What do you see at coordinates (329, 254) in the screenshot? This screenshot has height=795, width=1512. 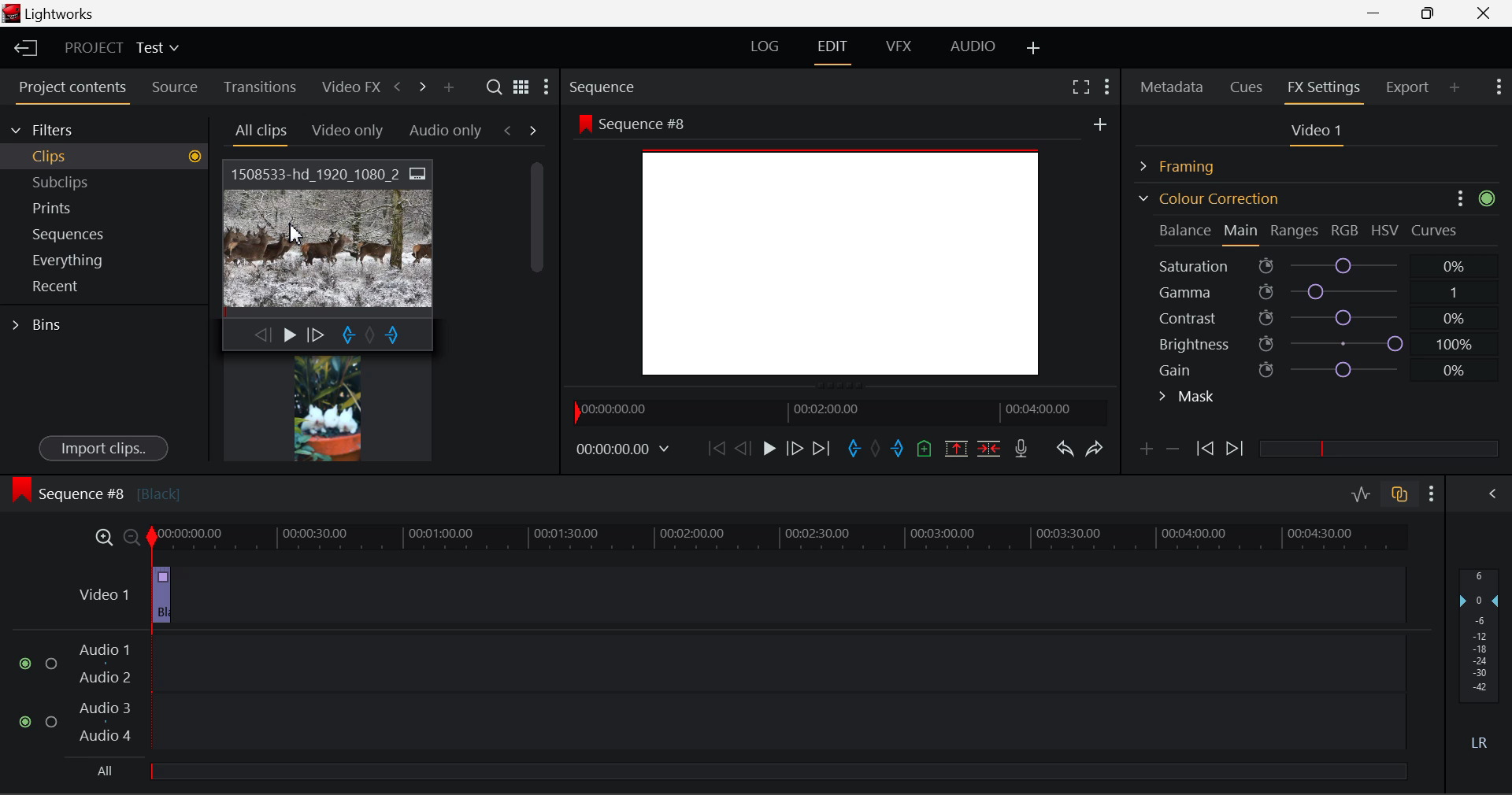 I see `Cursor MOUSE_DOWN on Clip 1` at bounding box center [329, 254].